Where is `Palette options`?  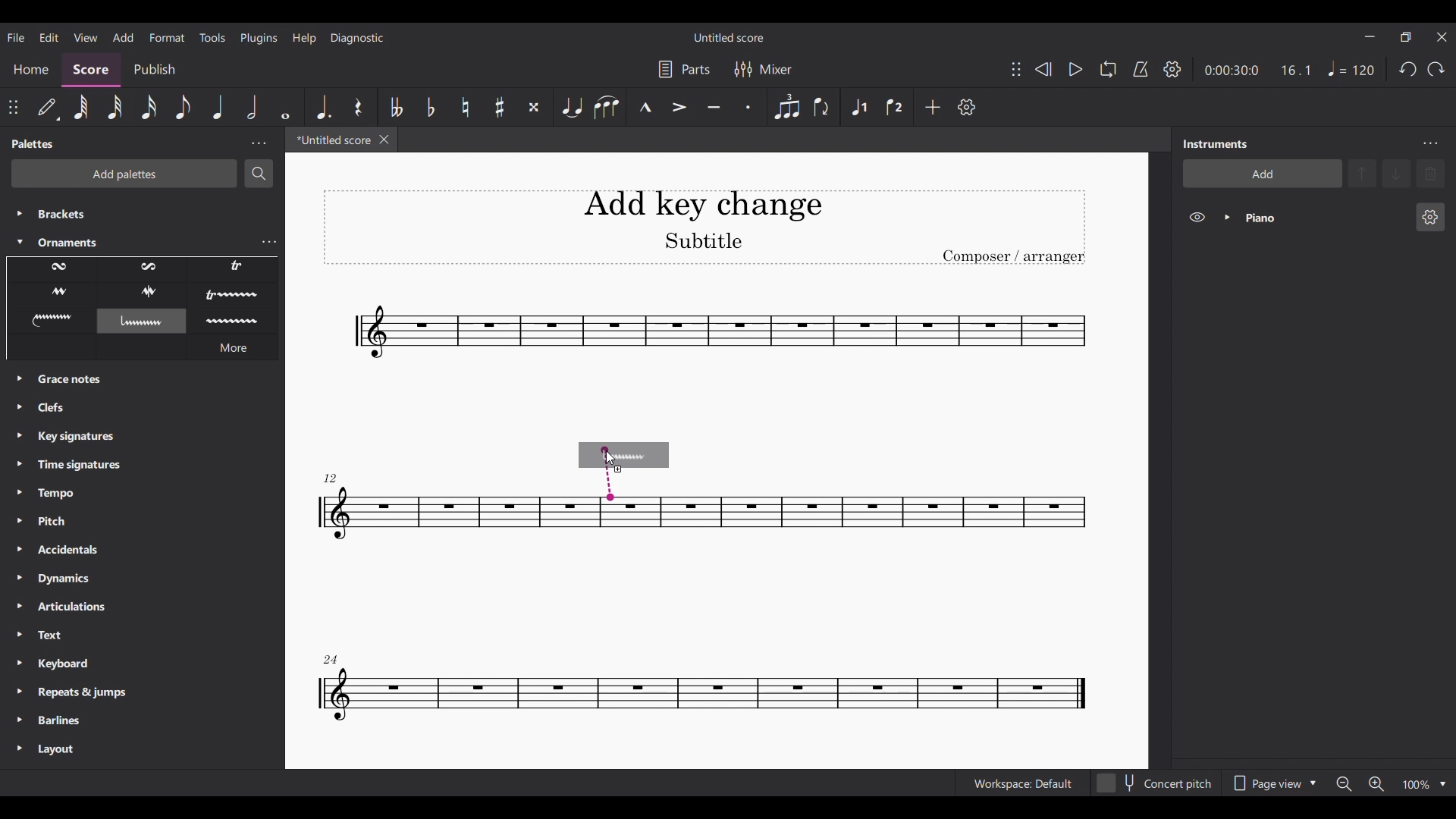
Palette options is located at coordinates (136, 224).